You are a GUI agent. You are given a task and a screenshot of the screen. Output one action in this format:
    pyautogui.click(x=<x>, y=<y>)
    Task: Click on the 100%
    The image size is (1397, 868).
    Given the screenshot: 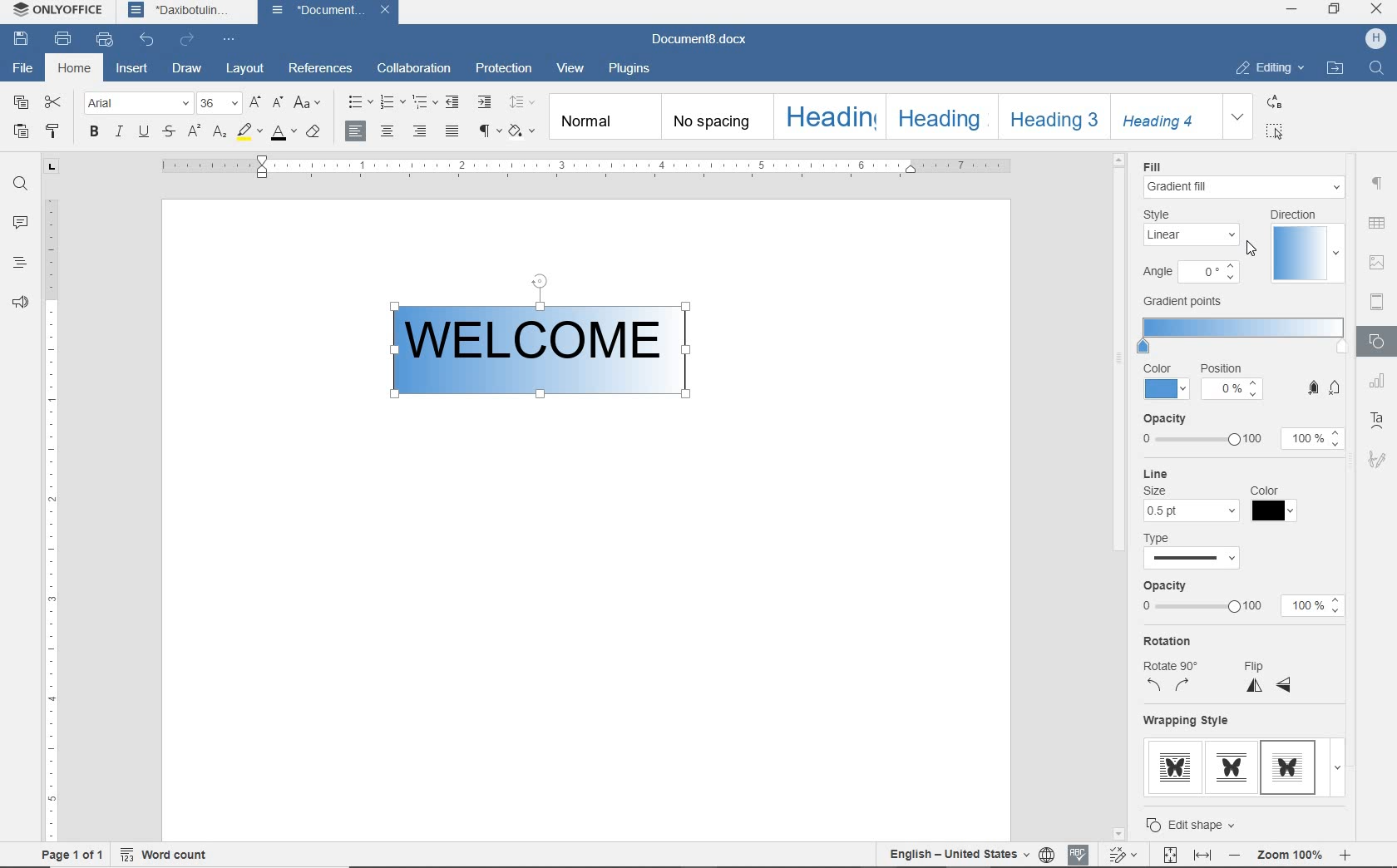 What is the action you would take?
    pyautogui.click(x=1301, y=604)
    